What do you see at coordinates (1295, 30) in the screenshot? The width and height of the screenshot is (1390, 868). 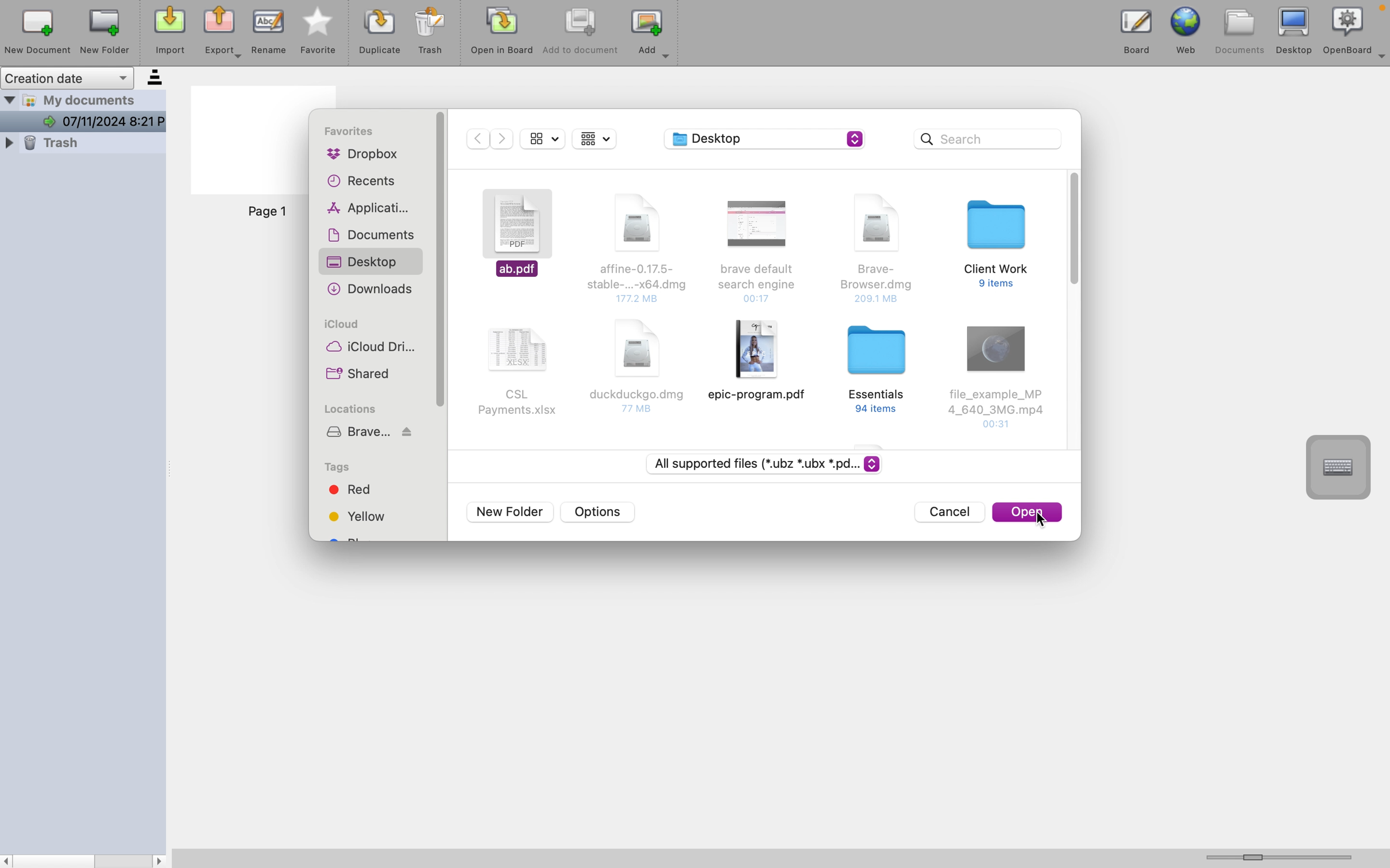 I see `desktop` at bounding box center [1295, 30].